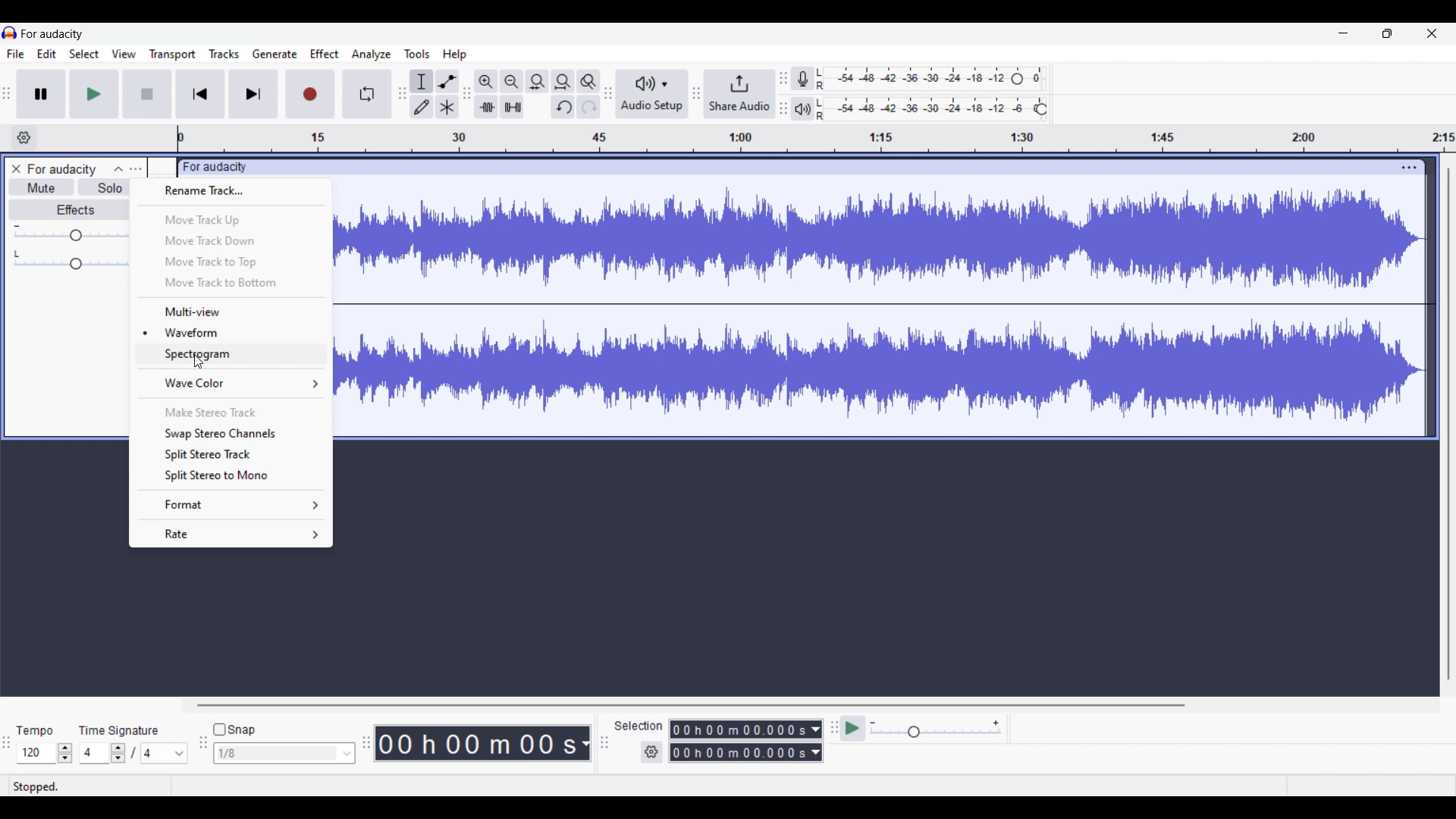  What do you see at coordinates (224, 54) in the screenshot?
I see `Tracks menu` at bounding box center [224, 54].